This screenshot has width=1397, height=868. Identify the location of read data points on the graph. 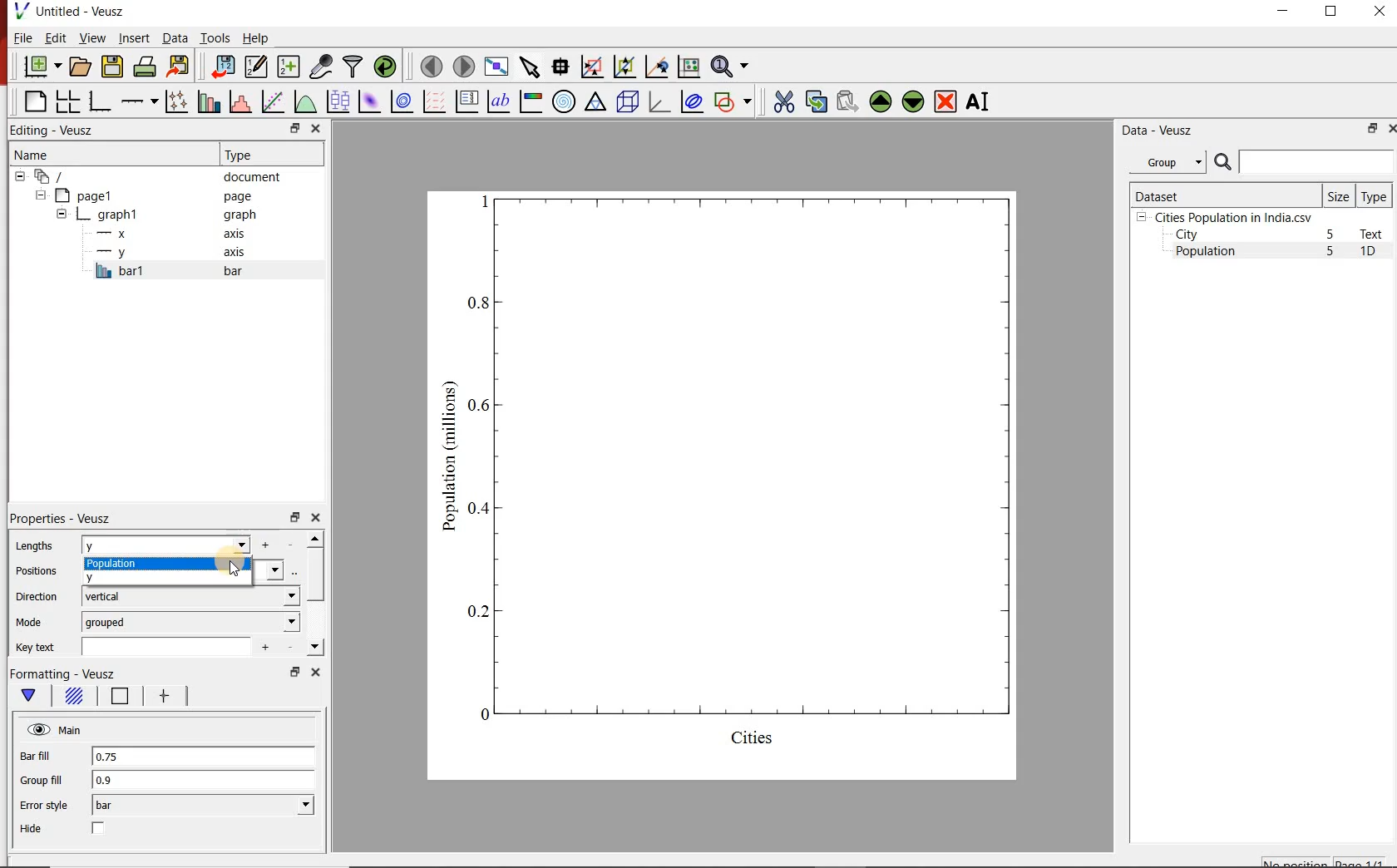
(560, 65).